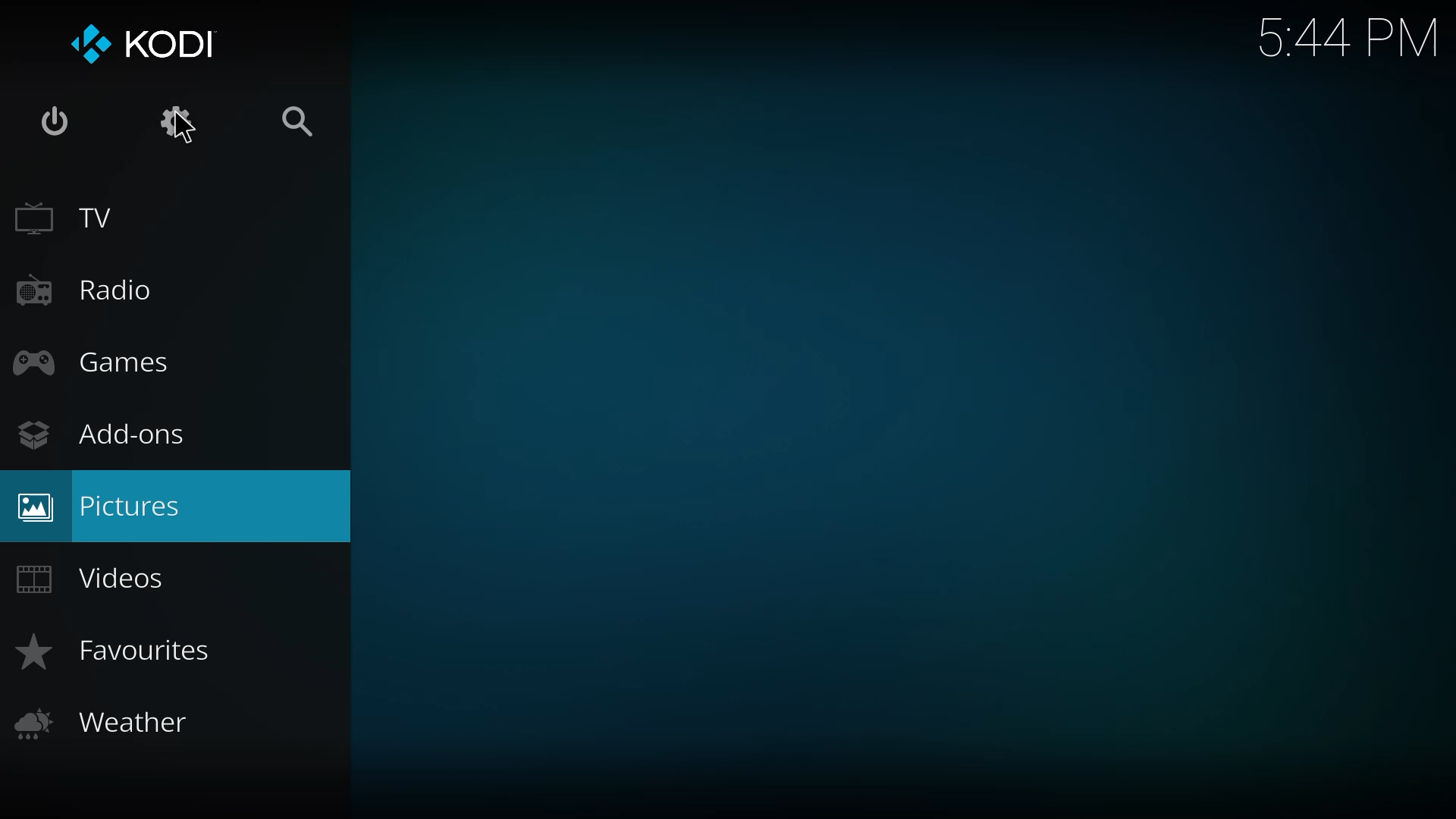  Describe the element at coordinates (294, 124) in the screenshot. I see `search` at that location.